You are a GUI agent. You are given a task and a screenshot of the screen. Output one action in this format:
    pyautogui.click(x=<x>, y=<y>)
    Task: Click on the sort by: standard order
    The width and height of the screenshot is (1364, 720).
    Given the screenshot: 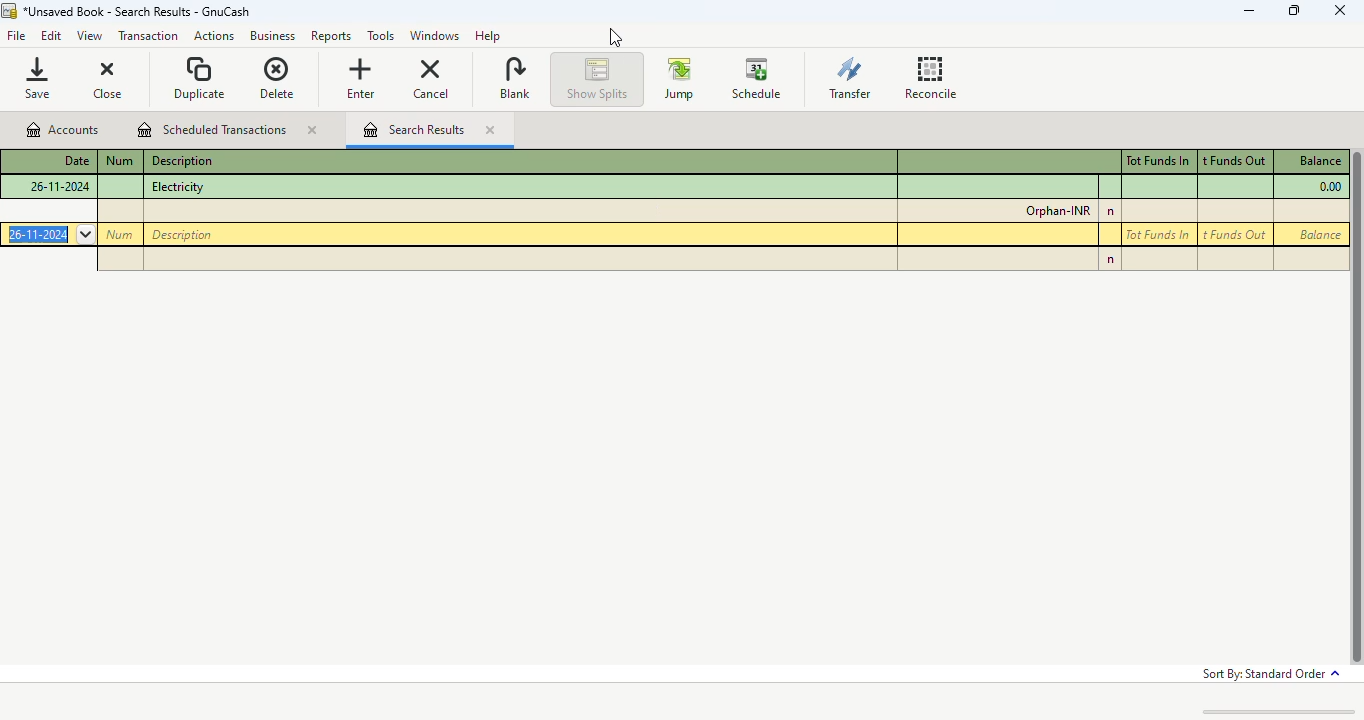 What is the action you would take?
    pyautogui.click(x=1271, y=674)
    